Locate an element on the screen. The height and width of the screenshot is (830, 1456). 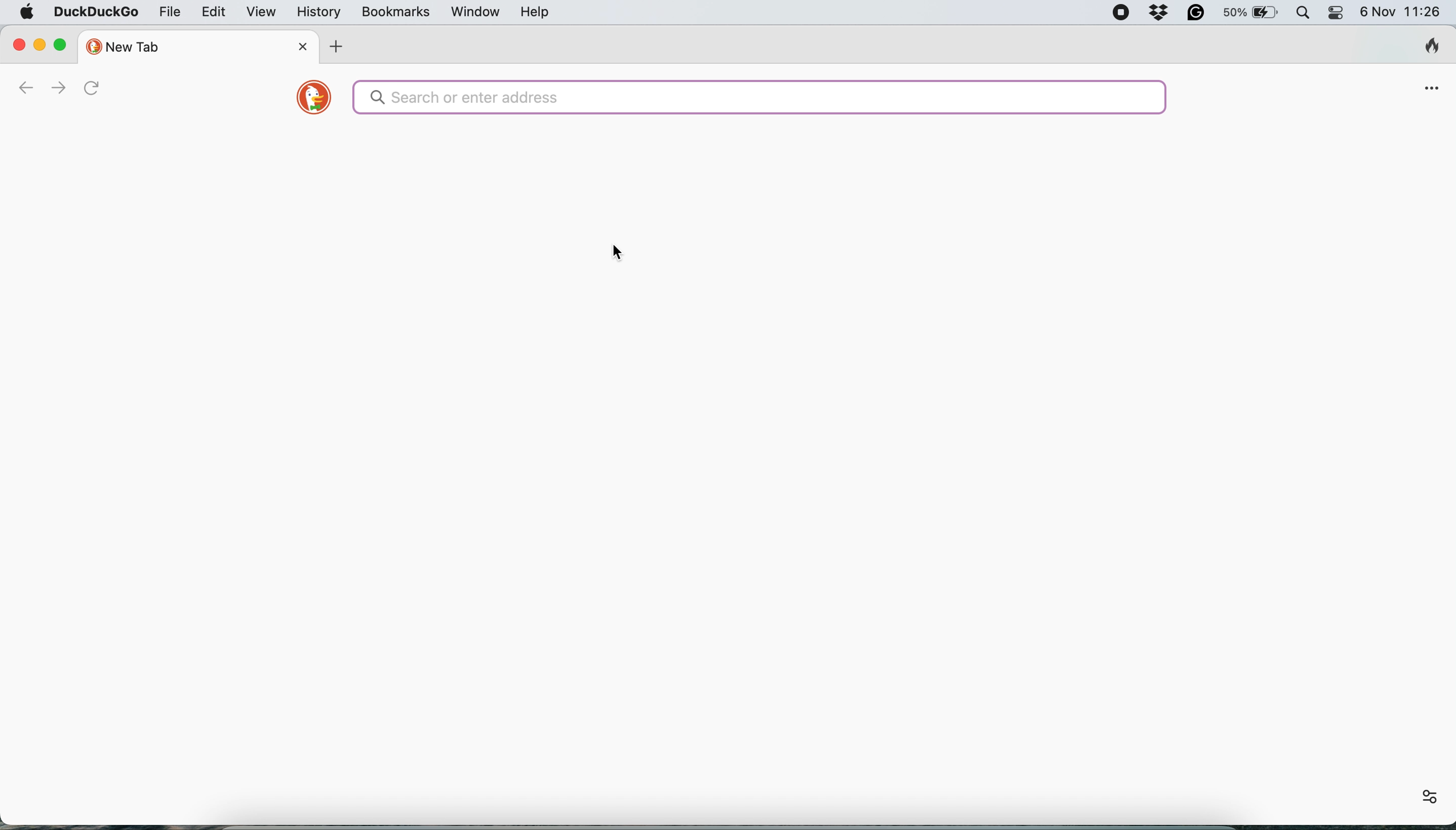
file is located at coordinates (169, 13).